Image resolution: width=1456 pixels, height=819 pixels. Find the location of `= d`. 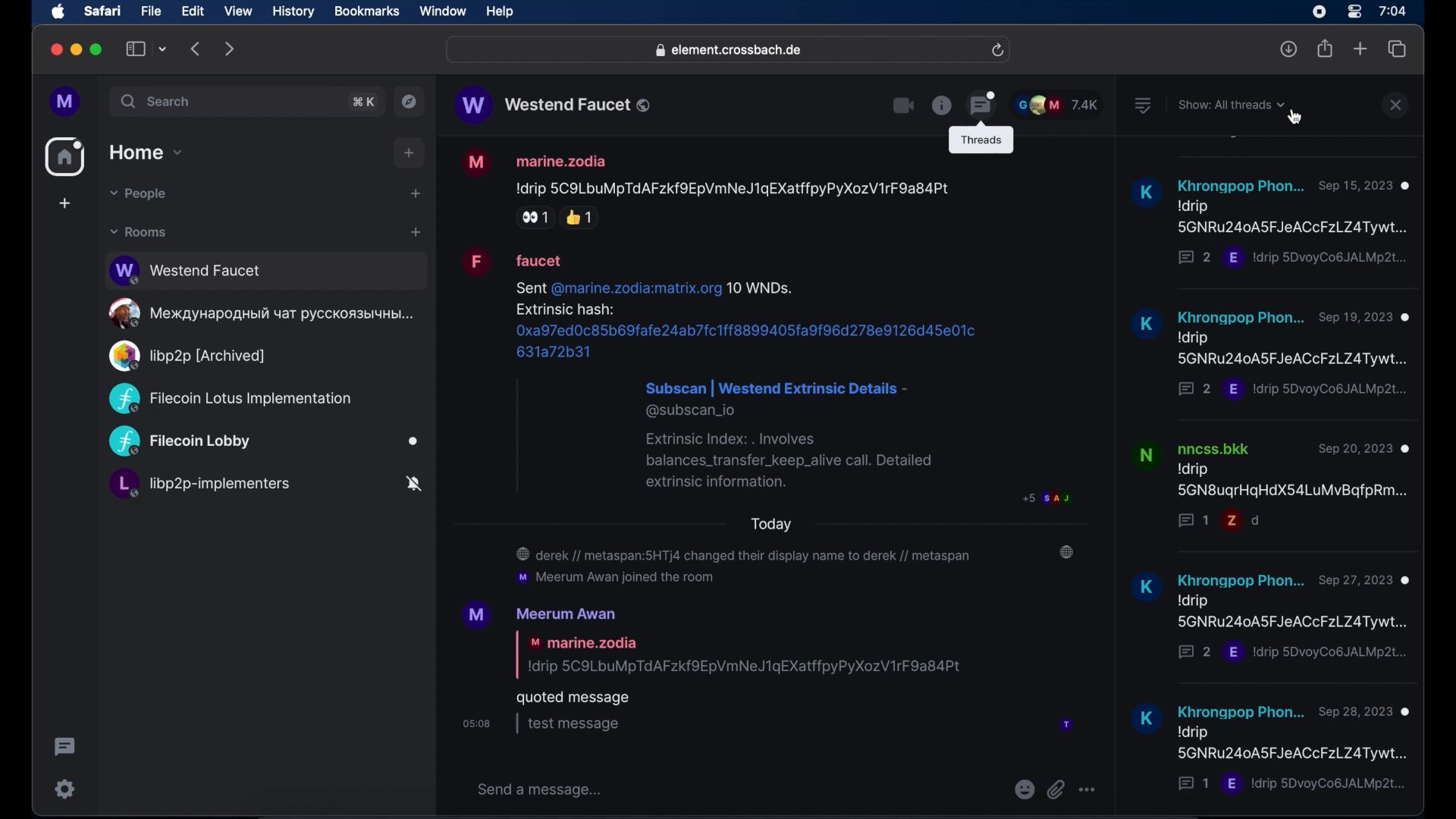

= d is located at coordinates (1243, 523).